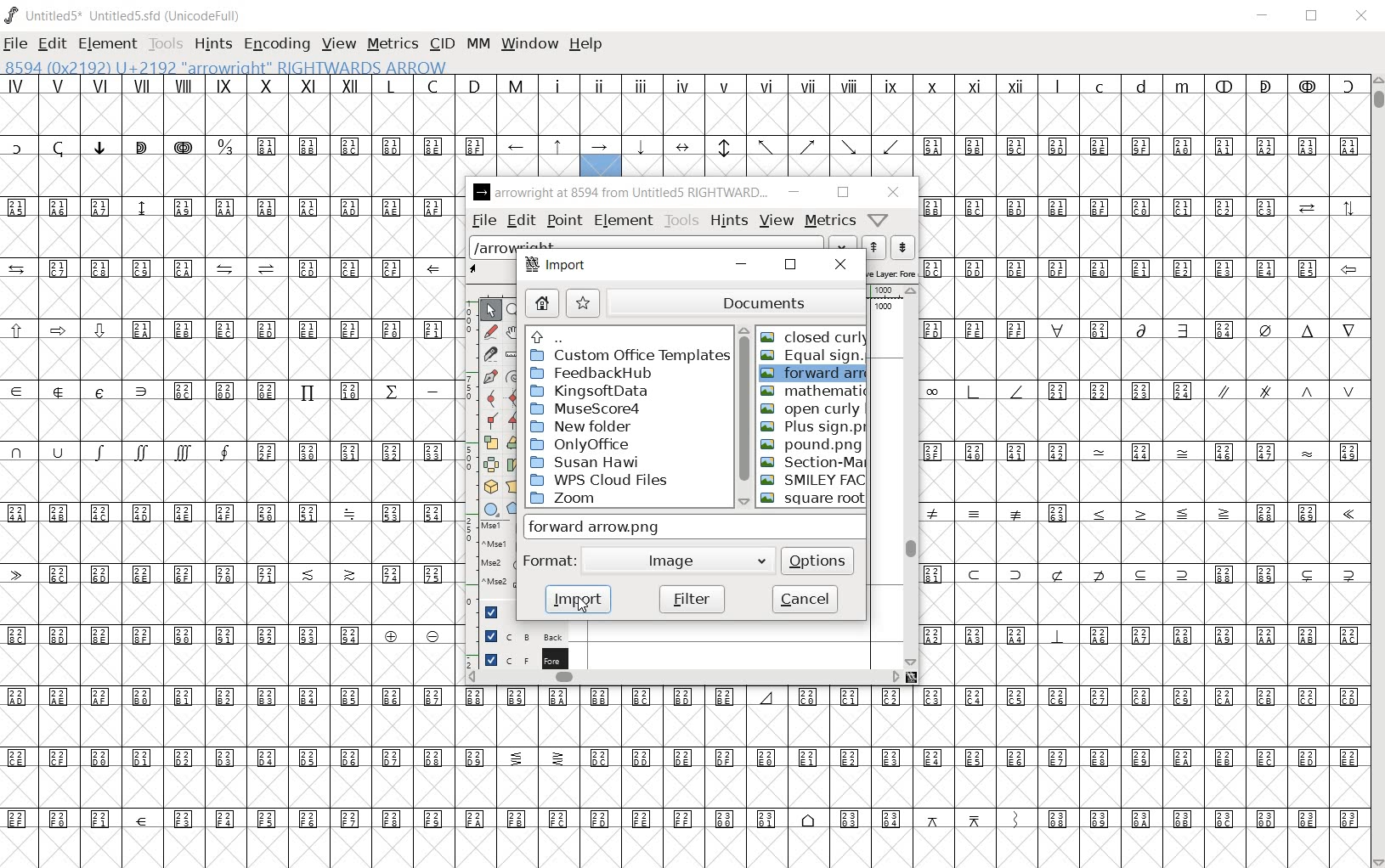 The height and width of the screenshot is (868, 1385). Describe the element at coordinates (813, 358) in the screenshot. I see `Equal sign` at that location.